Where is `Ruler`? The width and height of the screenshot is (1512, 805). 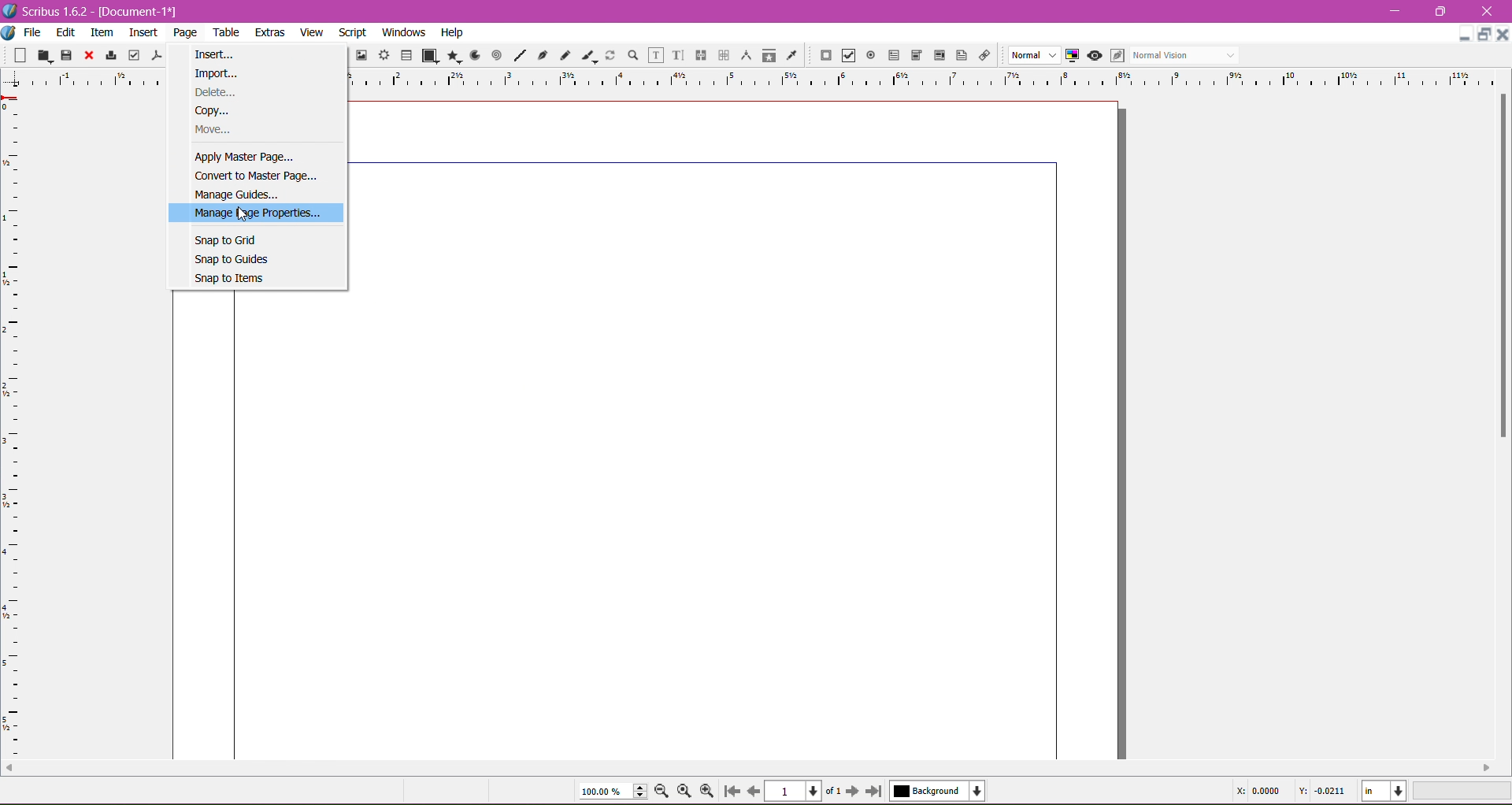 Ruler is located at coordinates (926, 80).